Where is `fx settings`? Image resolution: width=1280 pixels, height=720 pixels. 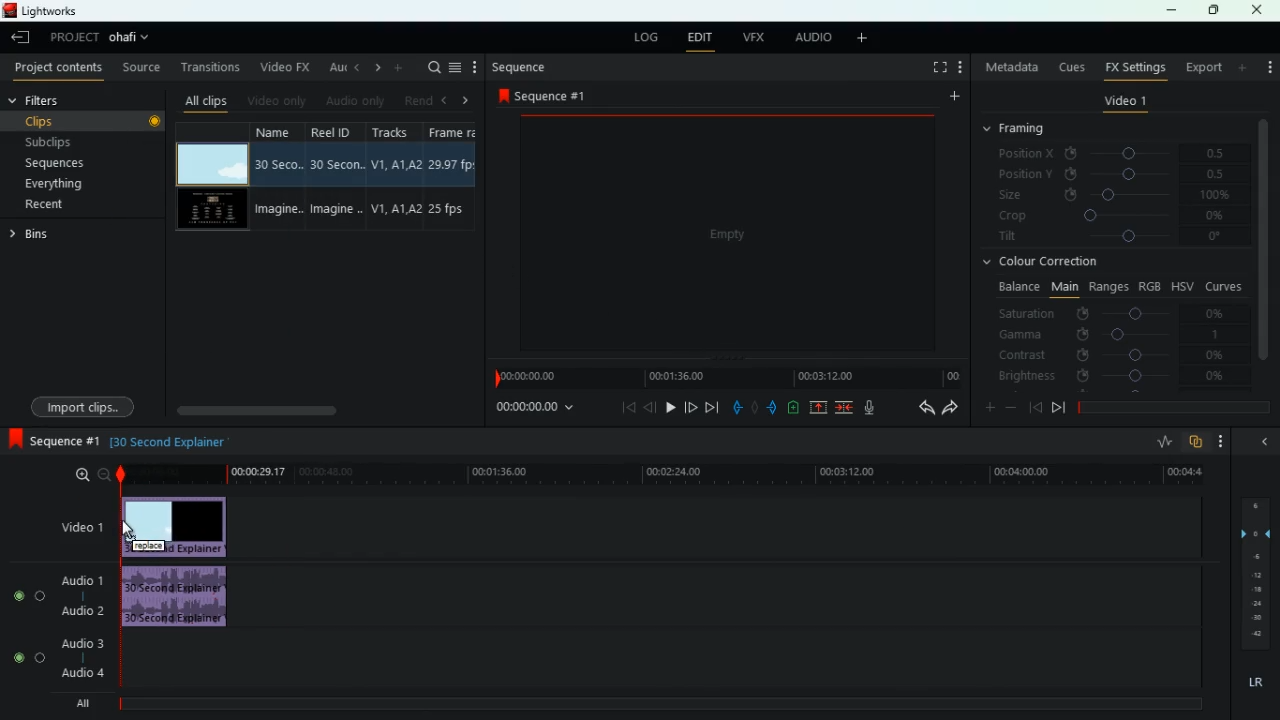
fx settings is located at coordinates (1134, 66).